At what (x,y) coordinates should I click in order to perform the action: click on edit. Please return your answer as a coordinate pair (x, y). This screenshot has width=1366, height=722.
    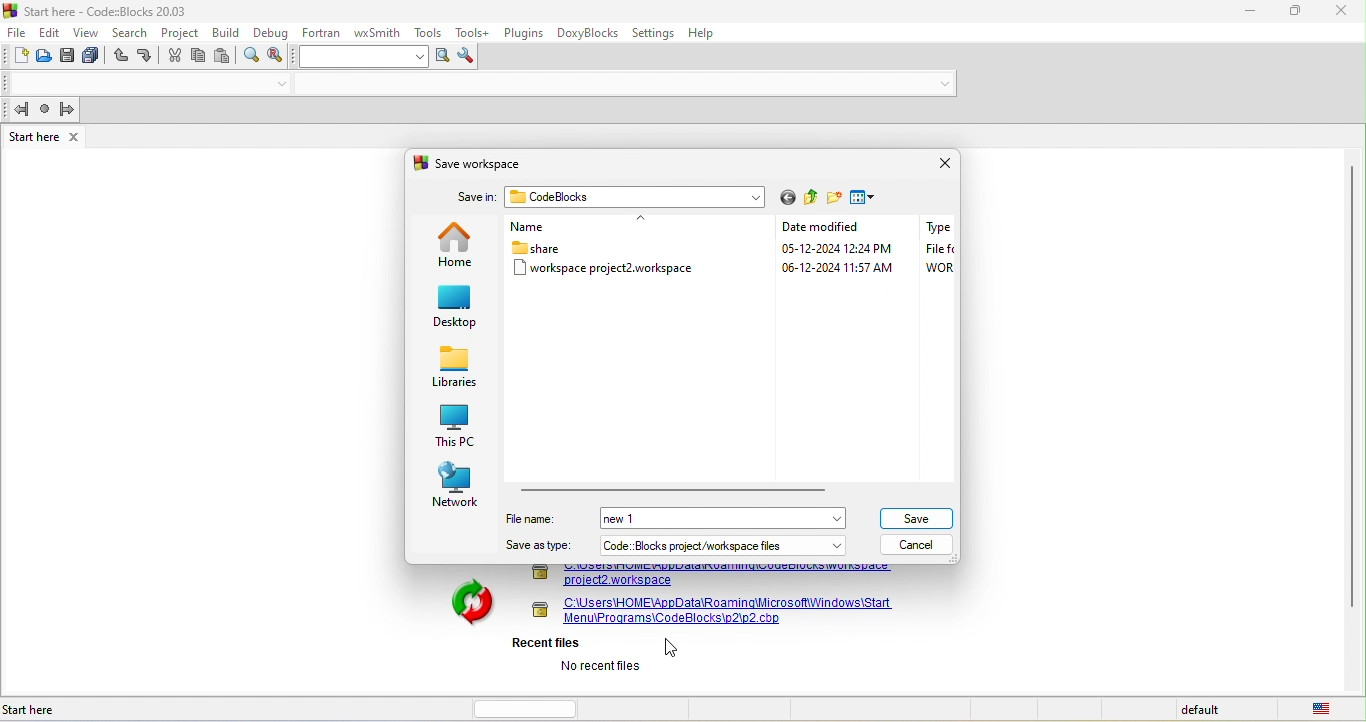
    Looking at the image, I should click on (50, 31).